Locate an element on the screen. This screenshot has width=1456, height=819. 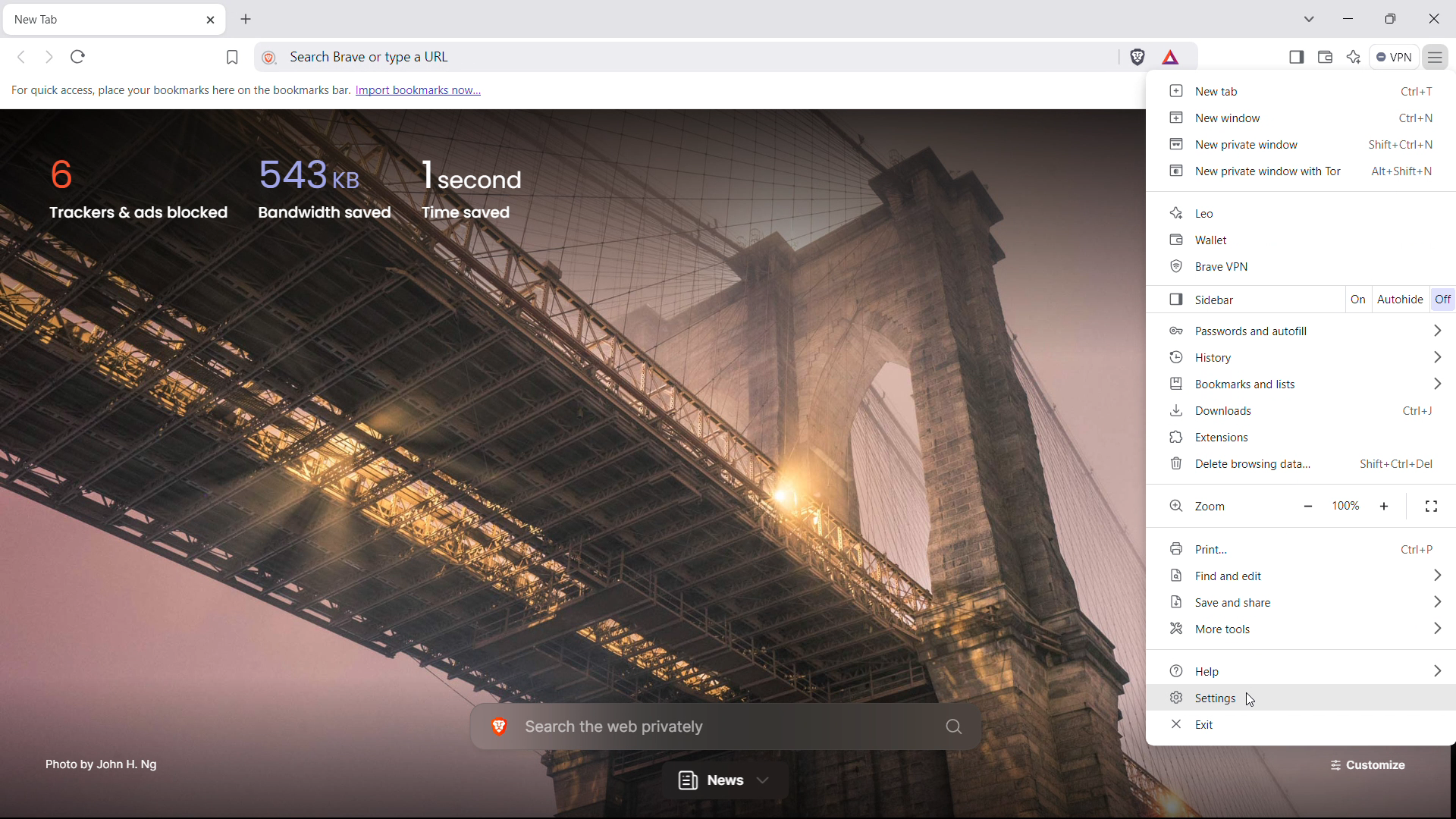
wallet is located at coordinates (1301, 237).